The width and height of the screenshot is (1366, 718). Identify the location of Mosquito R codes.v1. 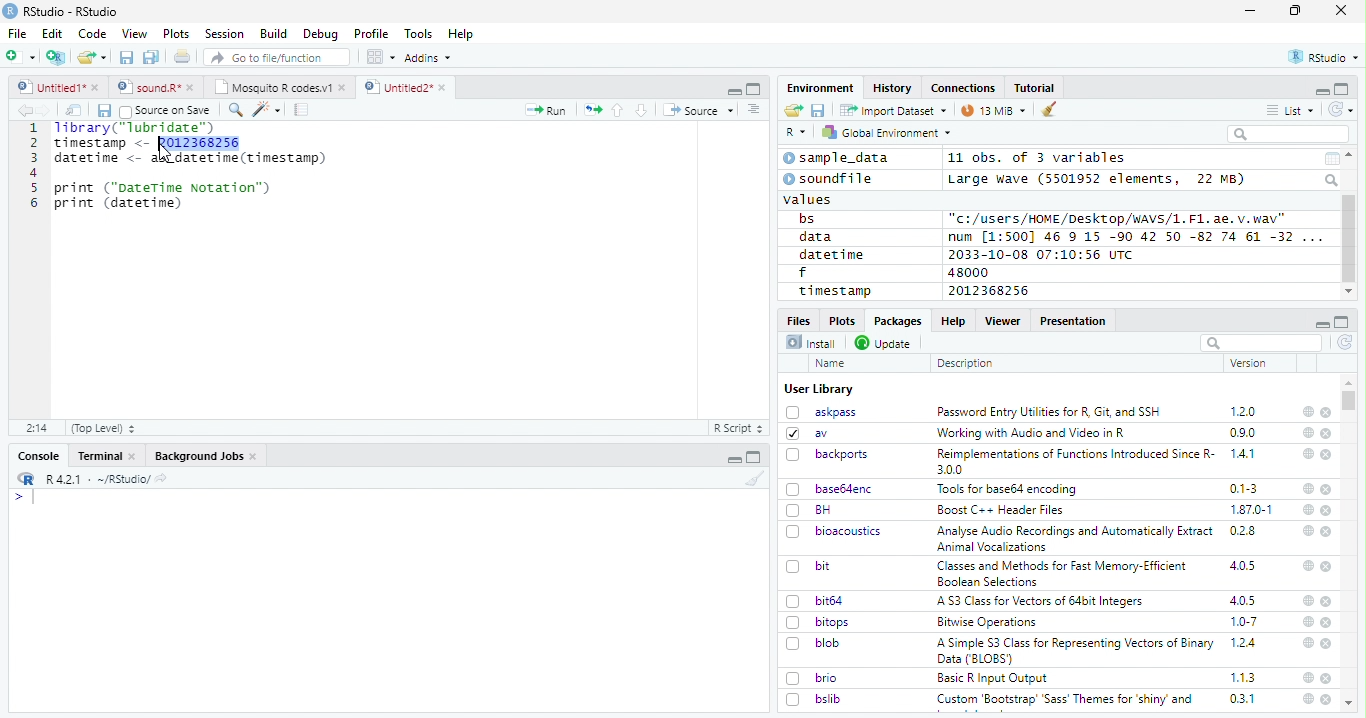
(279, 87).